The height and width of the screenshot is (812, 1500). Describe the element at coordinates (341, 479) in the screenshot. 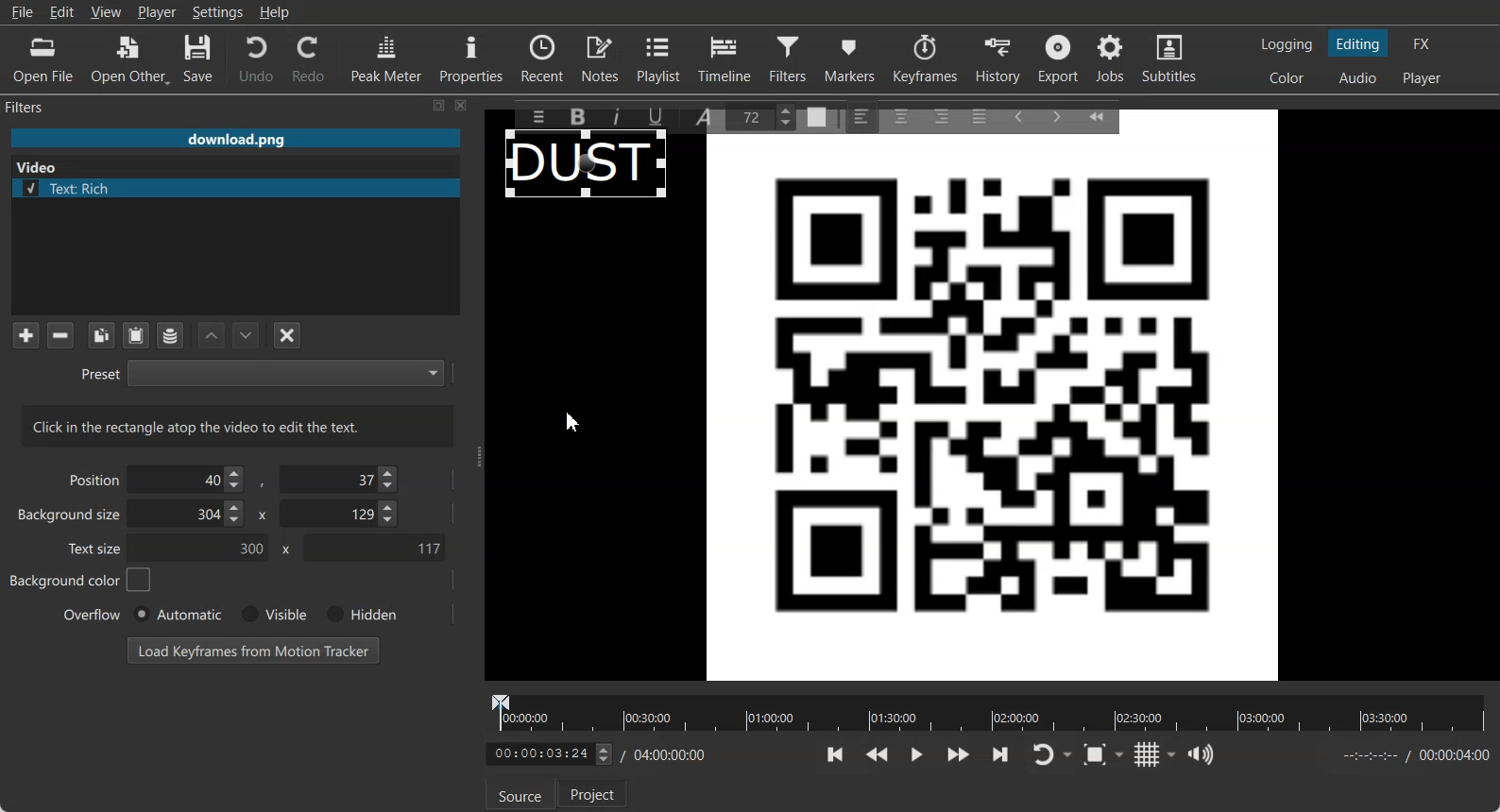

I see `Position Y- Coordinate` at that location.